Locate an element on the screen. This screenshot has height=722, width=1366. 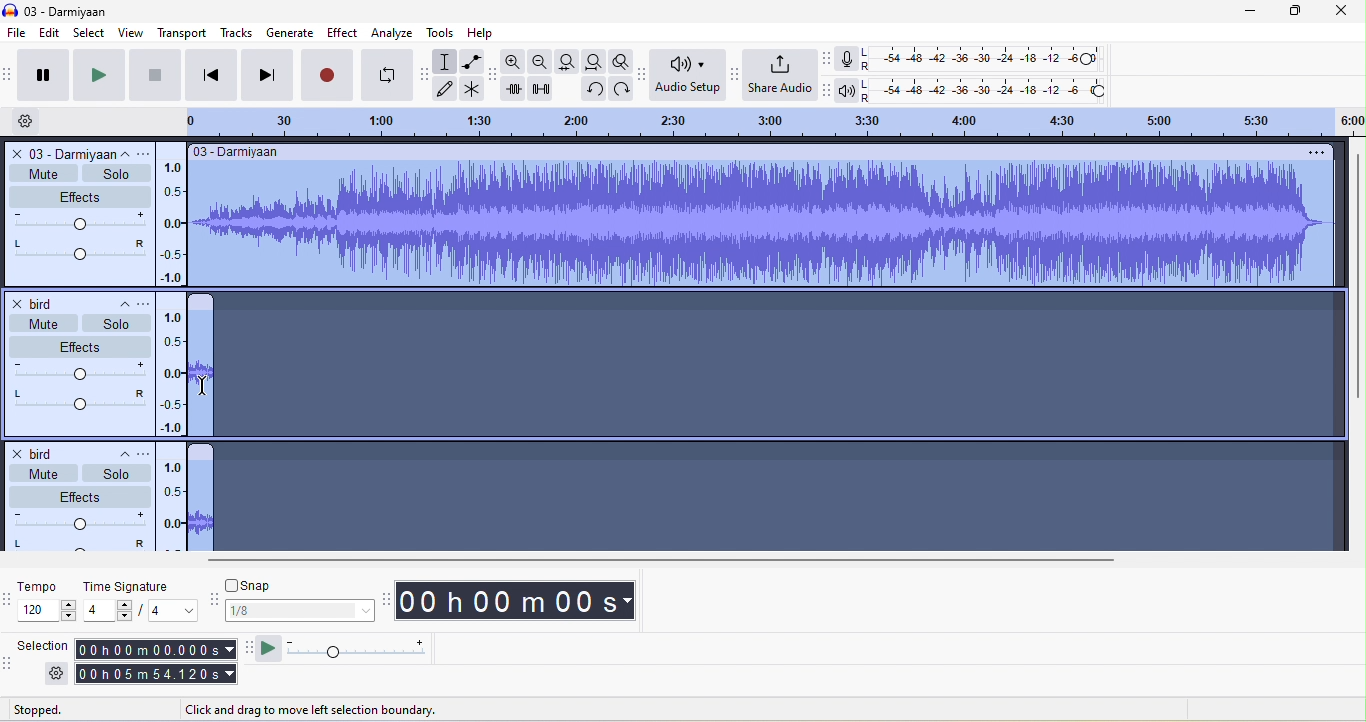
pan: center is located at coordinates (78, 251).